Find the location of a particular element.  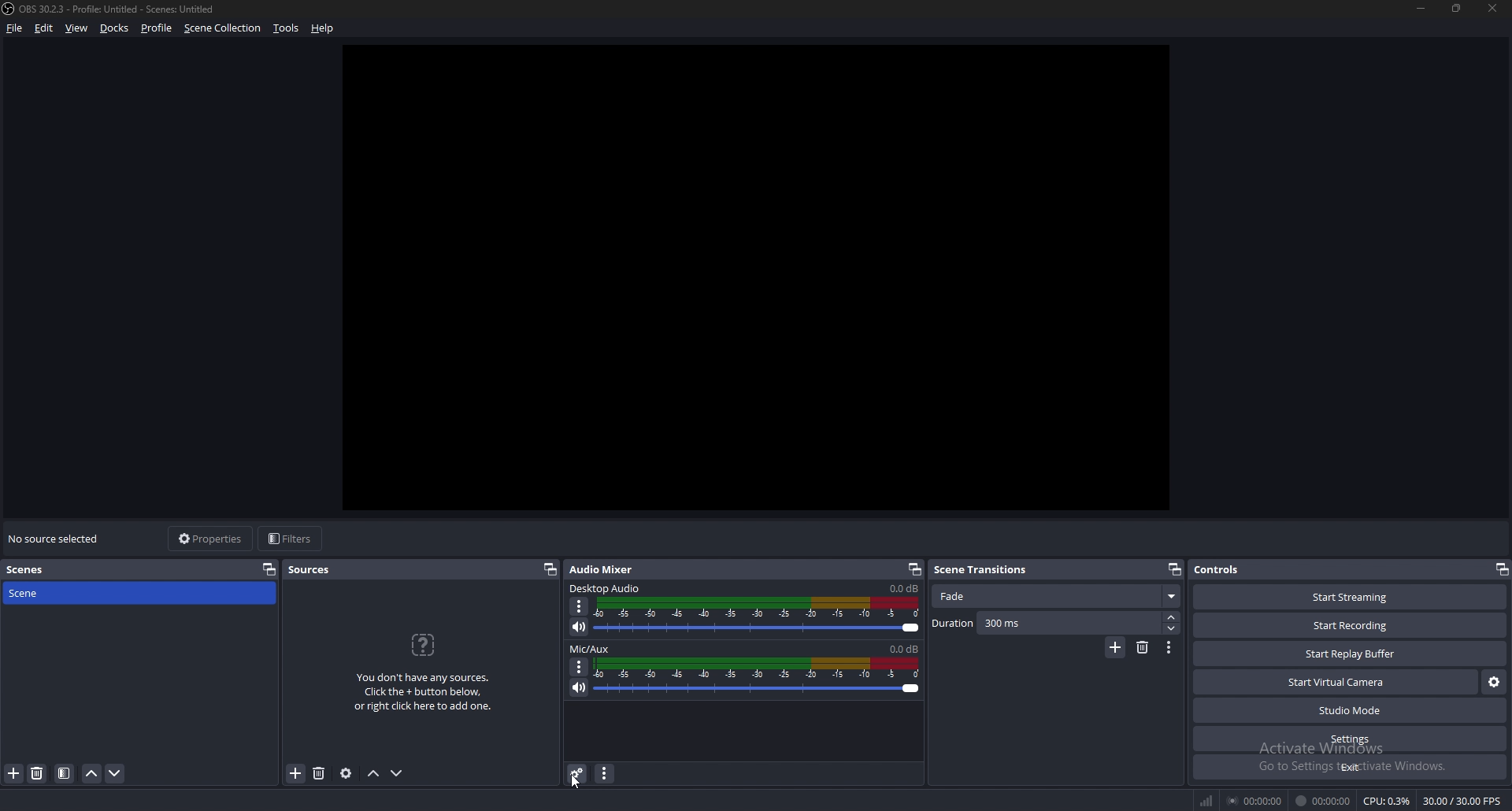

configure virtual camera is located at coordinates (1494, 683).